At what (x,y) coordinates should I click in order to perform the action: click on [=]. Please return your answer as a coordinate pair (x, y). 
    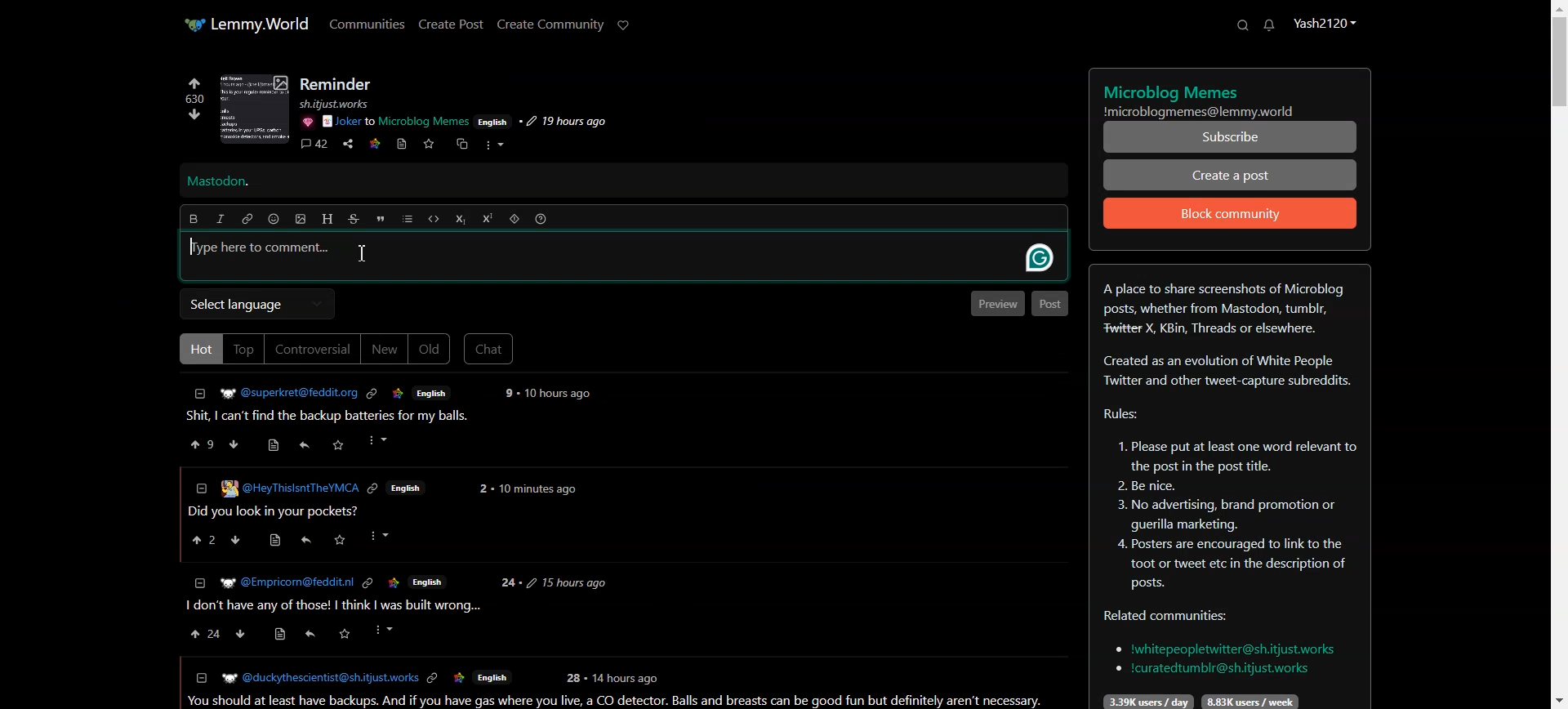
    Looking at the image, I should click on (200, 677).